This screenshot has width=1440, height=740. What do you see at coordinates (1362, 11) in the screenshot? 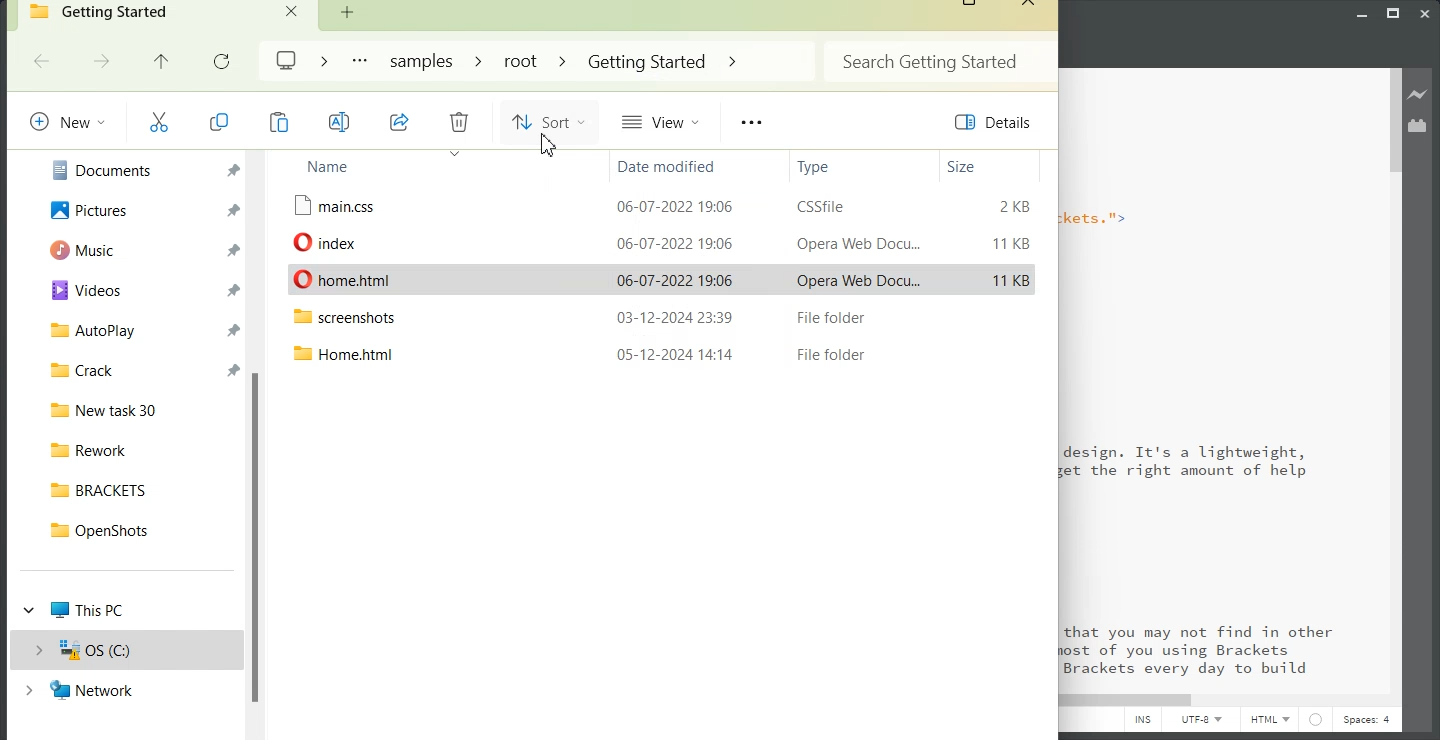
I see `Minimize` at bounding box center [1362, 11].